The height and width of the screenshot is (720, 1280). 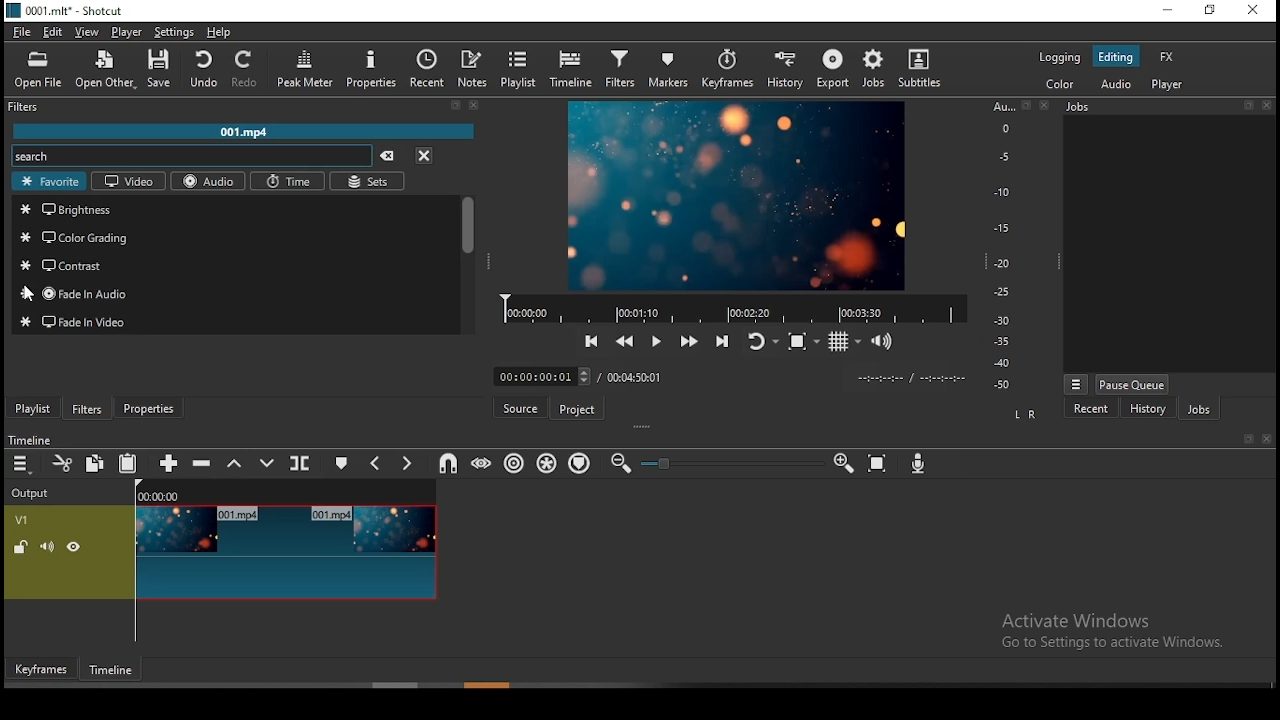 I want to click on color, so click(x=1056, y=84).